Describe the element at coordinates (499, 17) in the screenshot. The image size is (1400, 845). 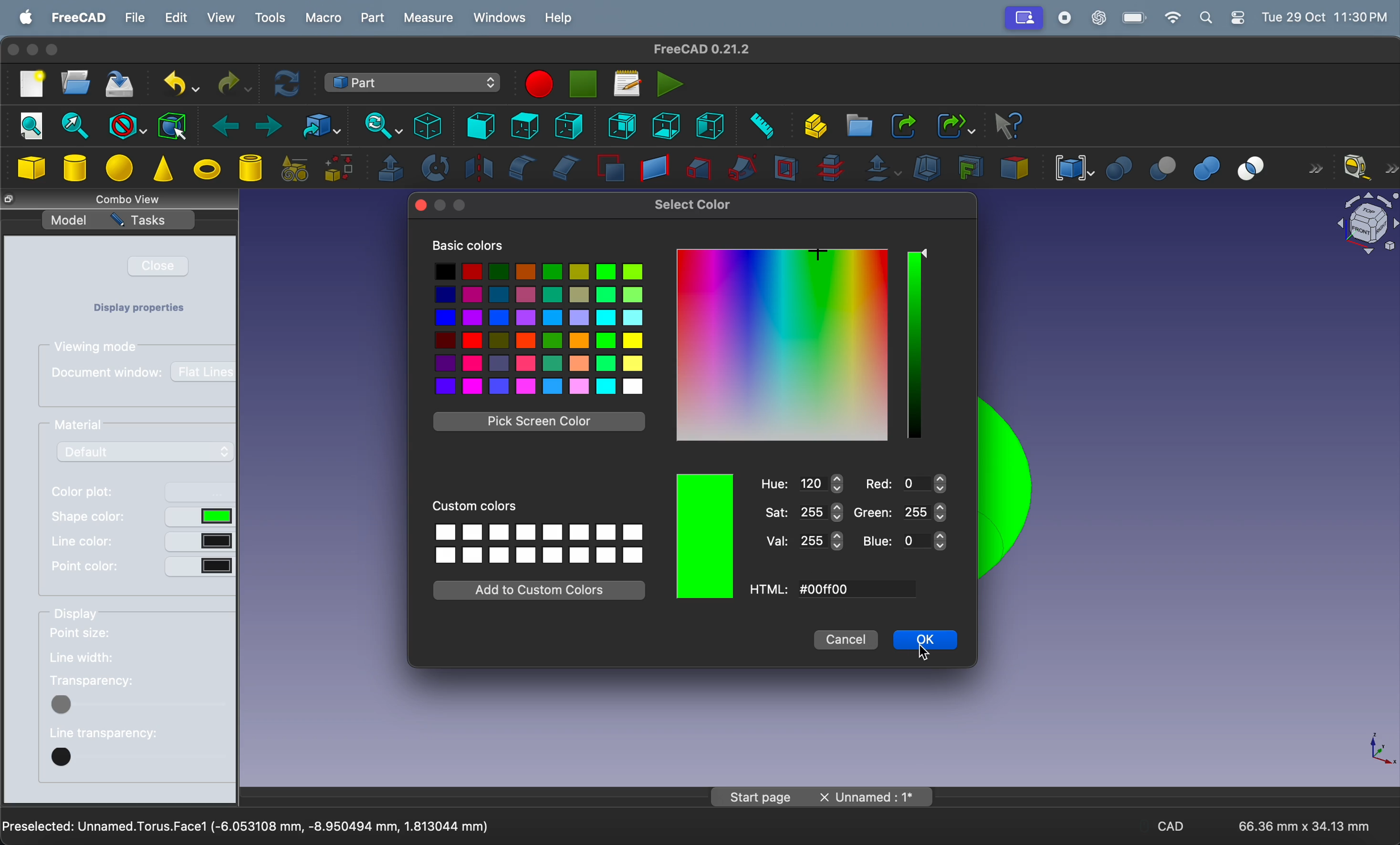
I see `windows` at that location.